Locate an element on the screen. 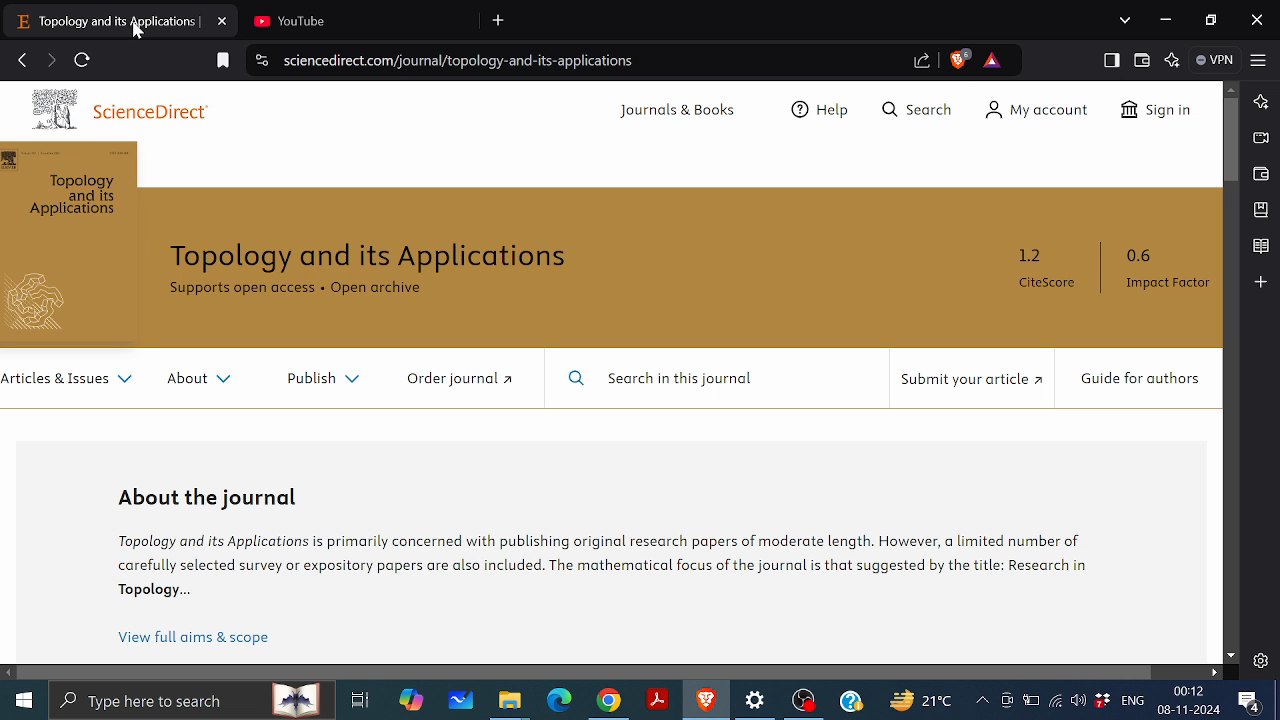 The image size is (1280, 720). Share link is located at coordinates (923, 62).